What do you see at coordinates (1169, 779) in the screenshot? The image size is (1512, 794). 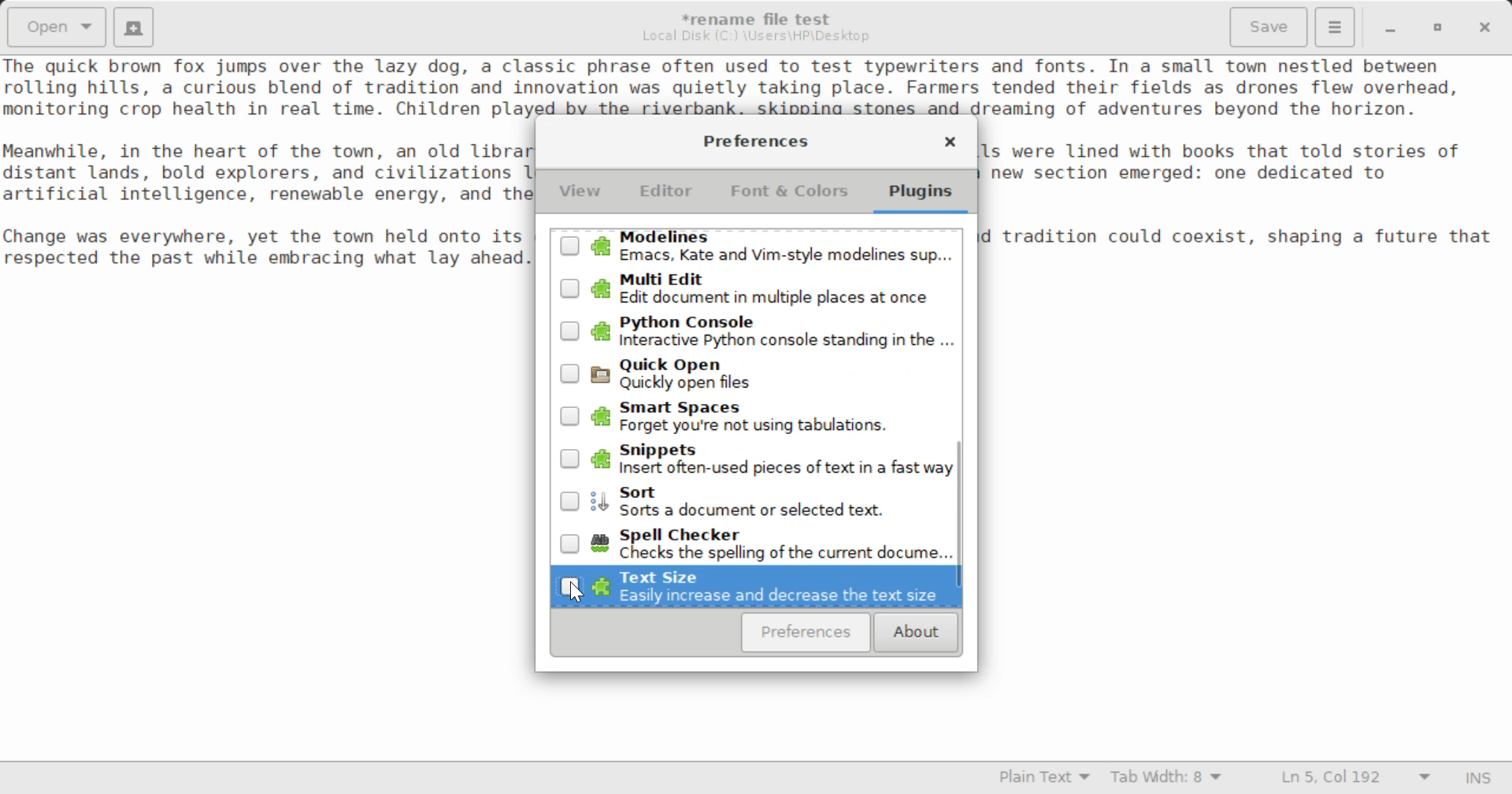 I see `Tab Width ` at bounding box center [1169, 779].